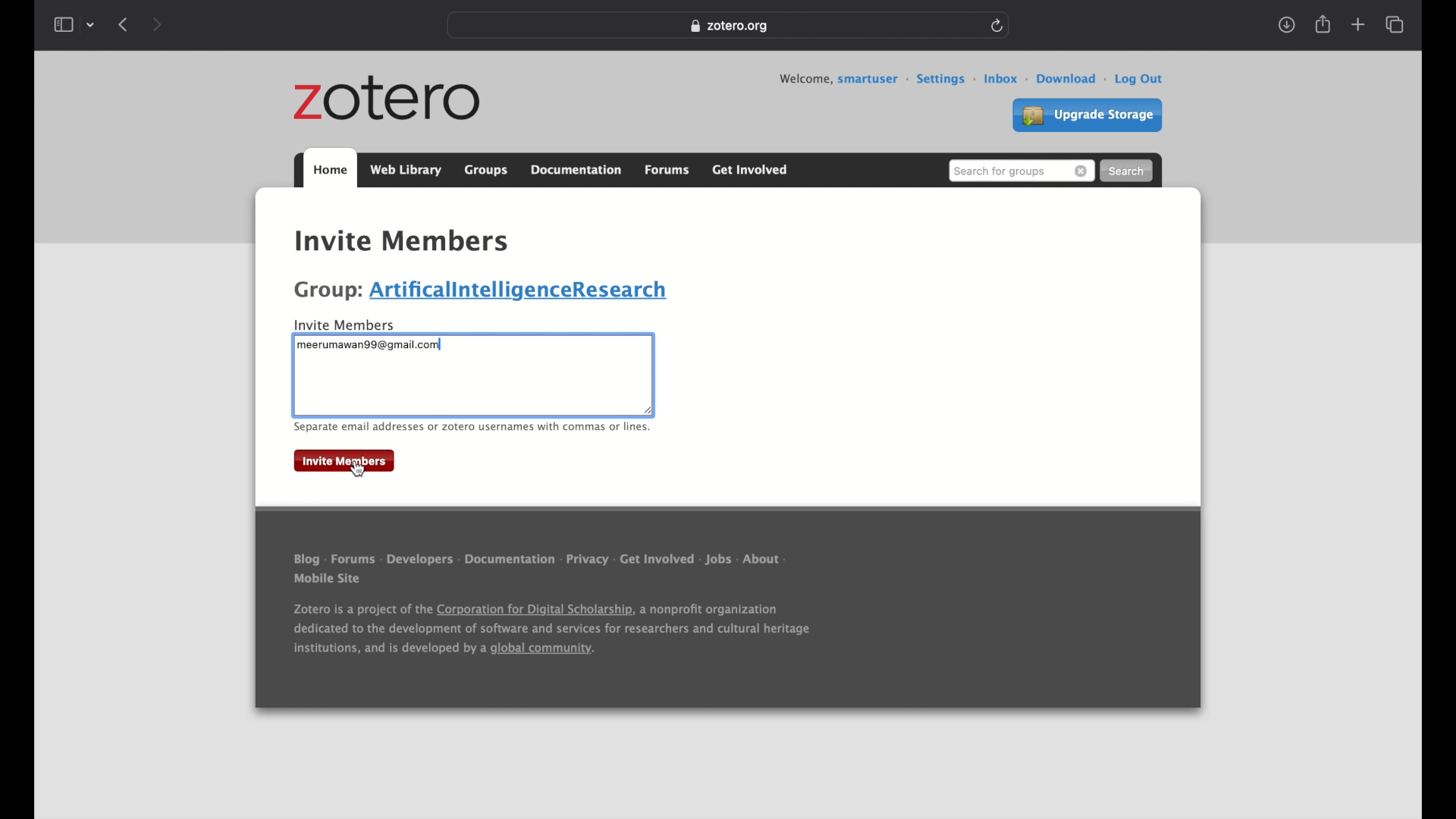 The image size is (1456, 819). What do you see at coordinates (1324, 25) in the screenshot?
I see `share tab` at bounding box center [1324, 25].